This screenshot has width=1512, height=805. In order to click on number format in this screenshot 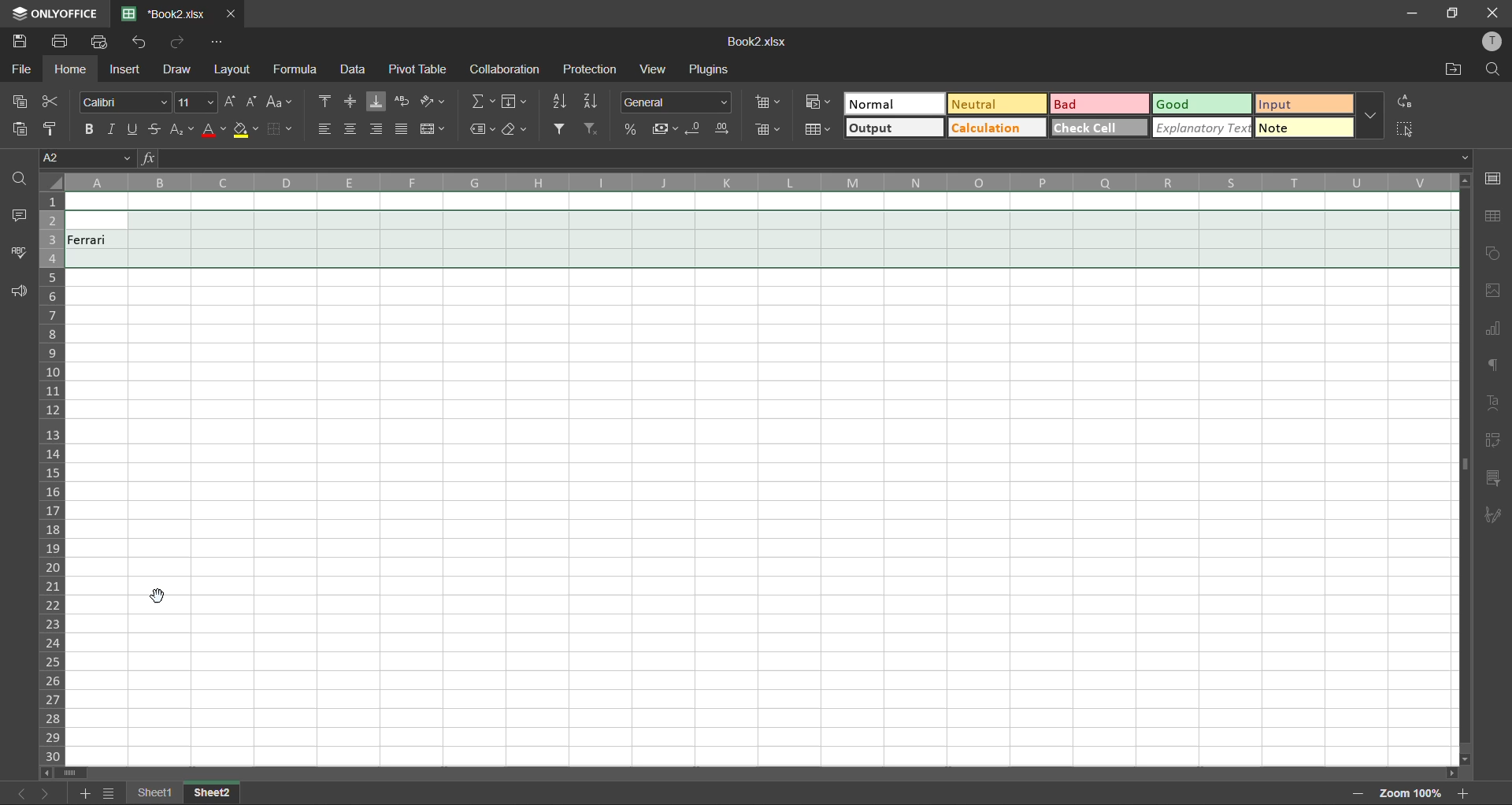, I will do `click(680, 102)`.